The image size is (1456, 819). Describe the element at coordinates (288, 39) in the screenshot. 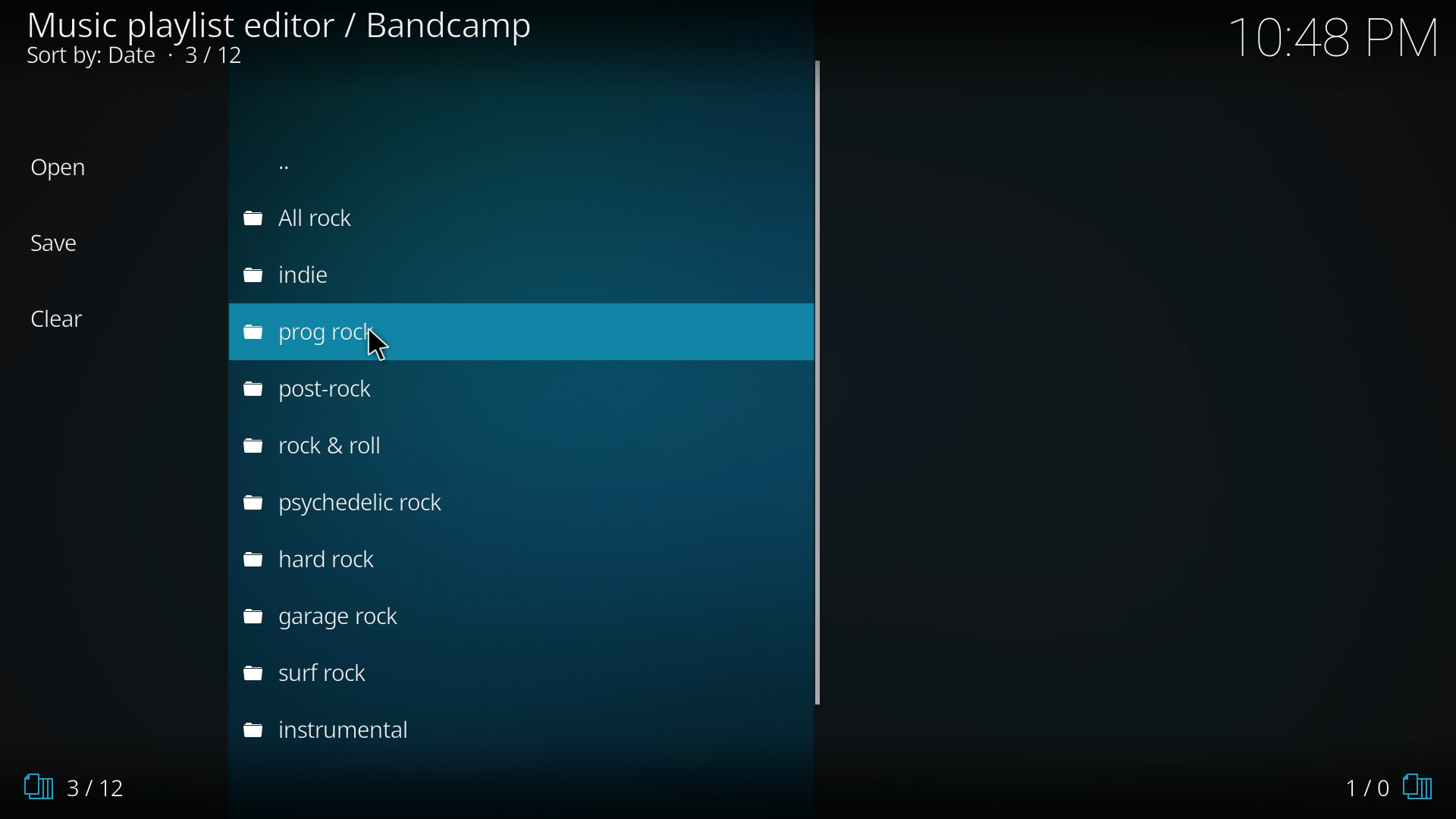

I see `music player editor/bandicamp` at that location.